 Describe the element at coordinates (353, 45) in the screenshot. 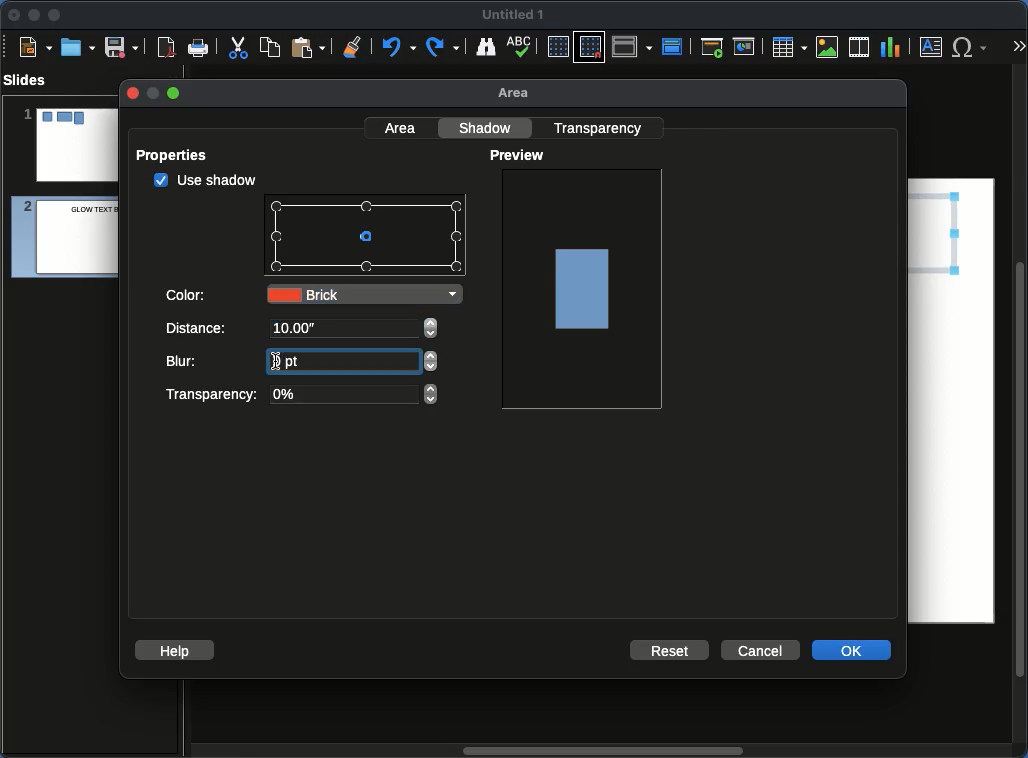

I see `Clear formatting` at that location.